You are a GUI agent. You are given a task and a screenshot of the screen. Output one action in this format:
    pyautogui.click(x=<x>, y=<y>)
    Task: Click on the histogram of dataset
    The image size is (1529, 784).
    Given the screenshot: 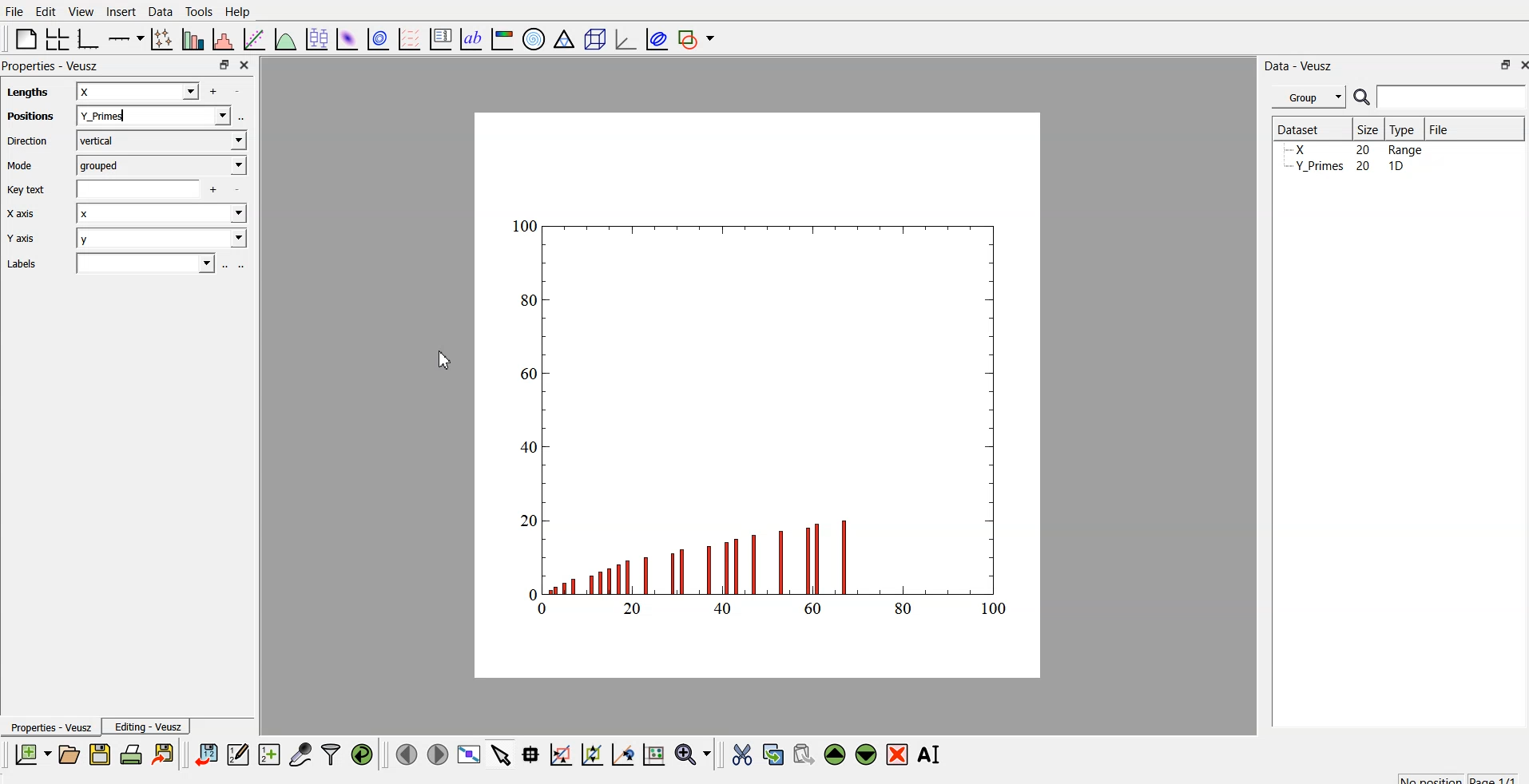 What is the action you would take?
    pyautogui.click(x=222, y=40)
    